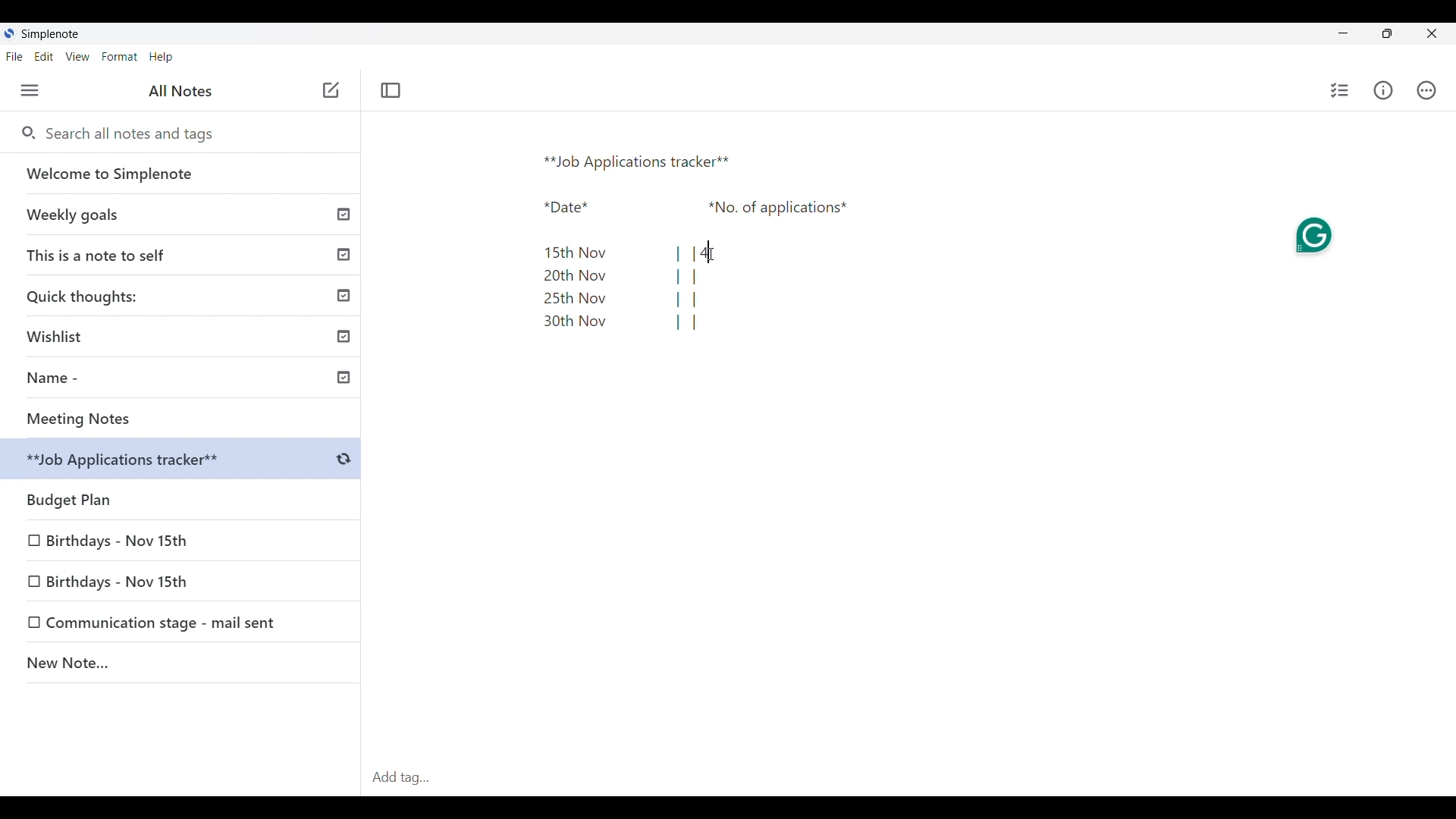 The width and height of the screenshot is (1456, 819). I want to click on New Note.., so click(181, 665).